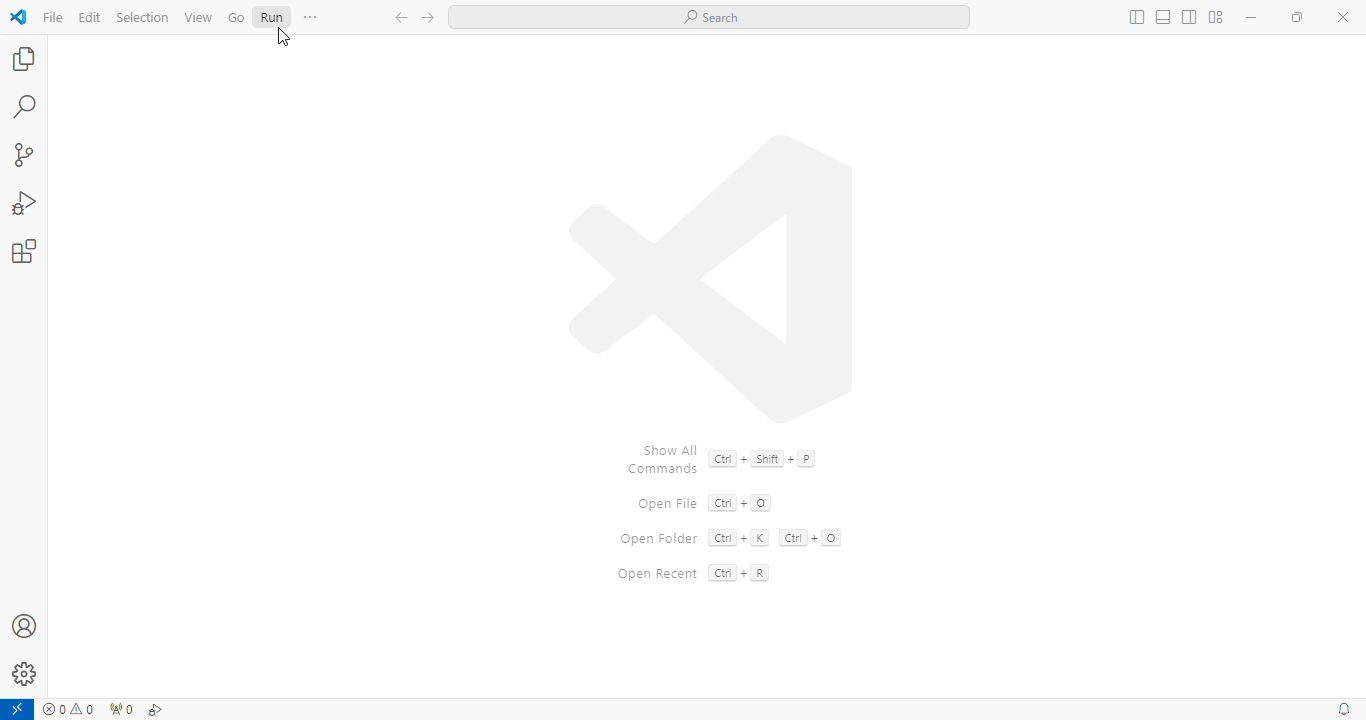 This screenshot has height=720, width=1366. I want to click on Ctrl+K Ctrl+O, so click(773, 537).